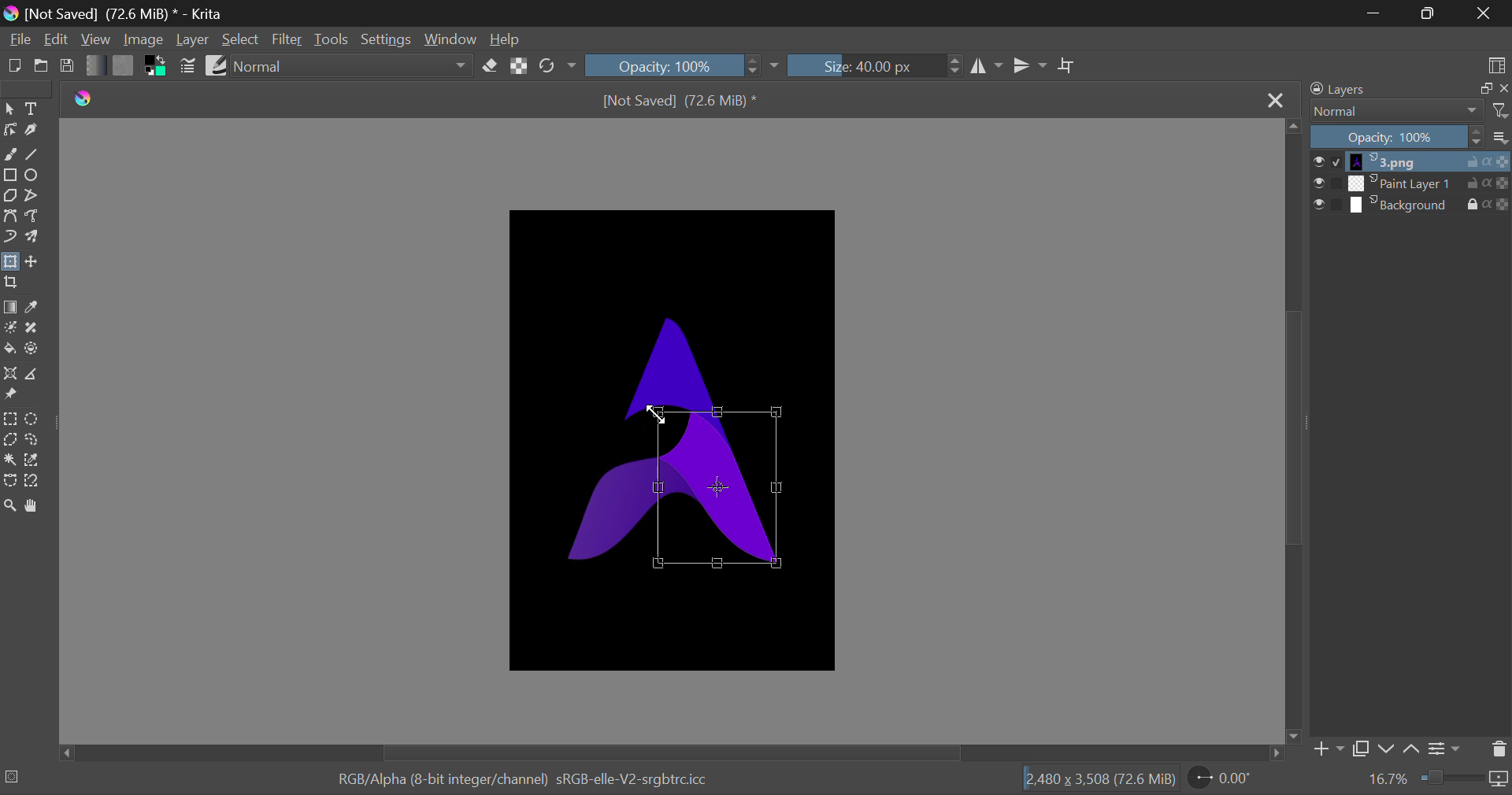 The image size is (1512, 795). What do you see at coordinates (1488, 162) in the screenshot?
I see `actions` at bounding box center [1488, 162].